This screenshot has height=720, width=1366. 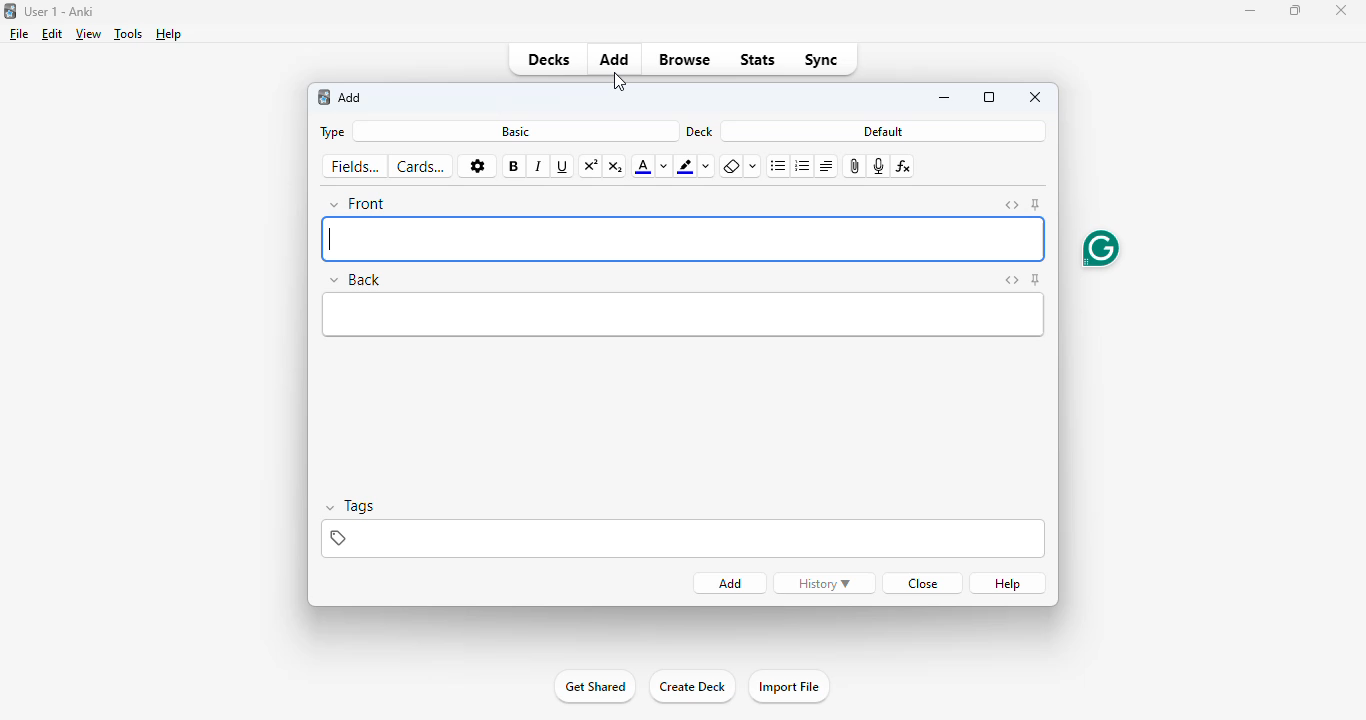 I want to click on typing front question, so click(x=683, y=240).